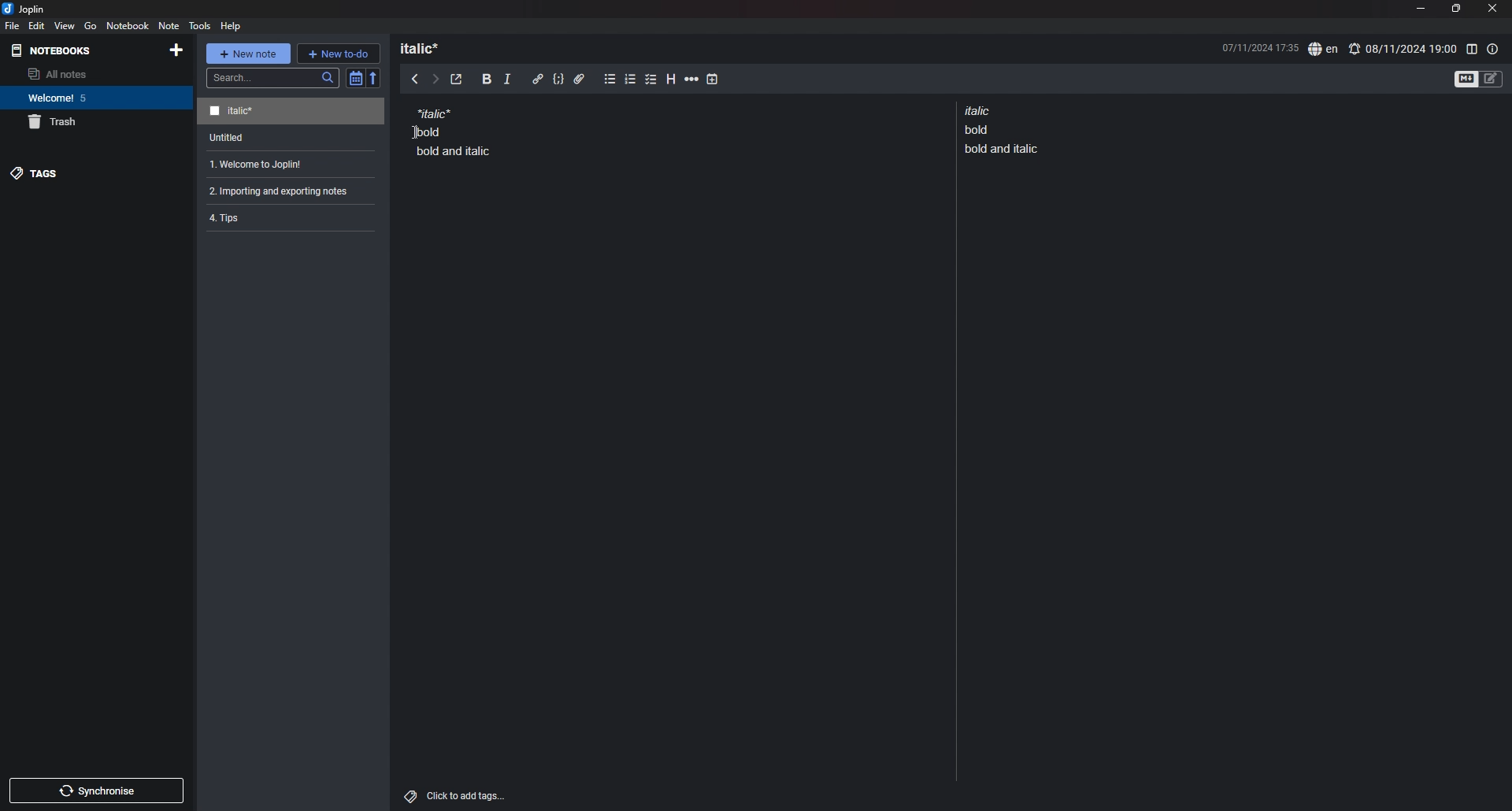 The height and width of the screenshot is (811, 1512). What do you see at coordinates (457, 796) in the screenshot?
I see `add tags` at bounding box center [457, 796].